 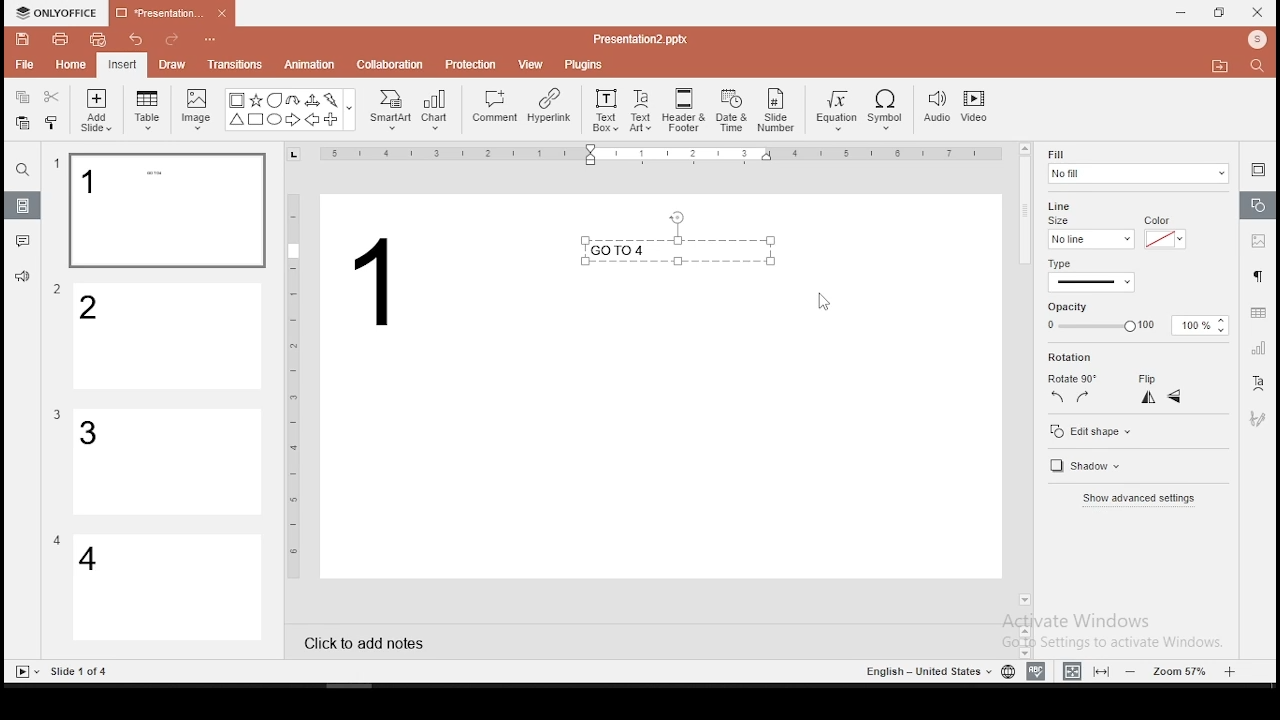 What do you see at coordinates (274, 100) in the screenshot?
I see `Bubble` at bounding box center [274, 100].